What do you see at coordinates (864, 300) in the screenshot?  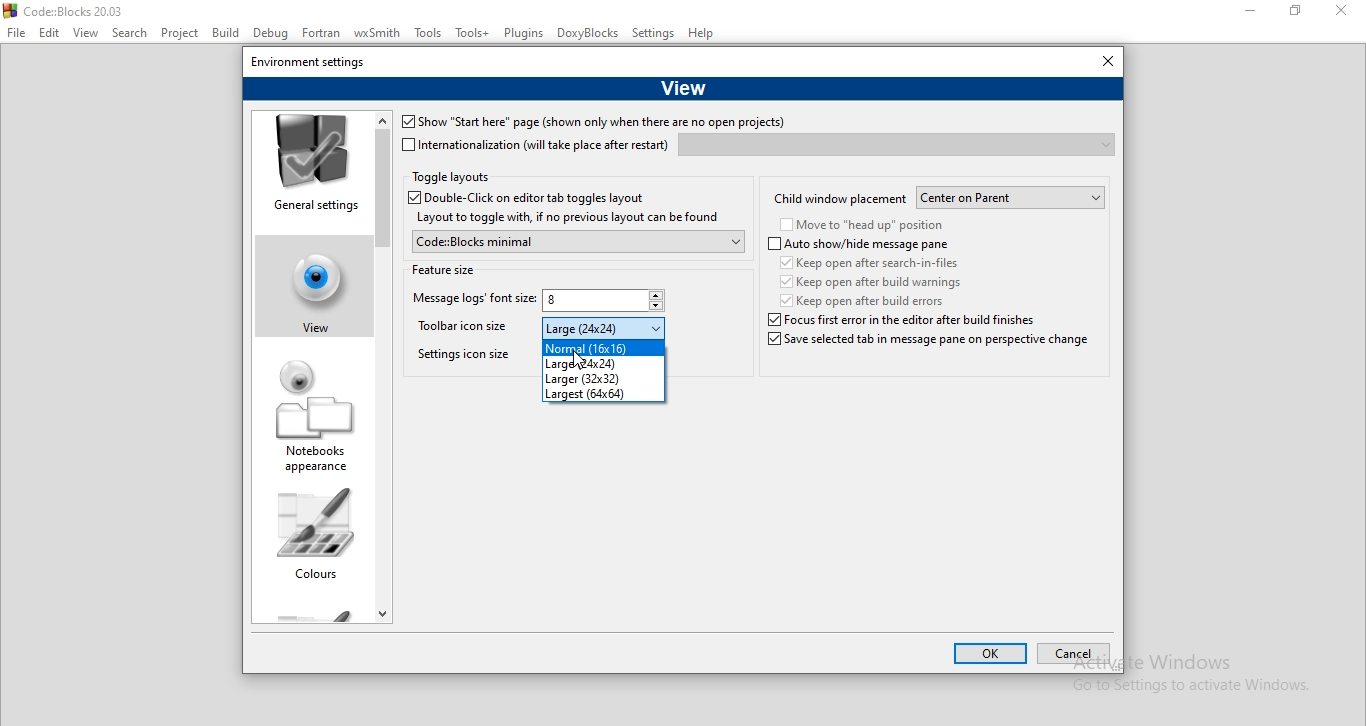 I see ` Keep open after build error` at bounding box center [864, 300].